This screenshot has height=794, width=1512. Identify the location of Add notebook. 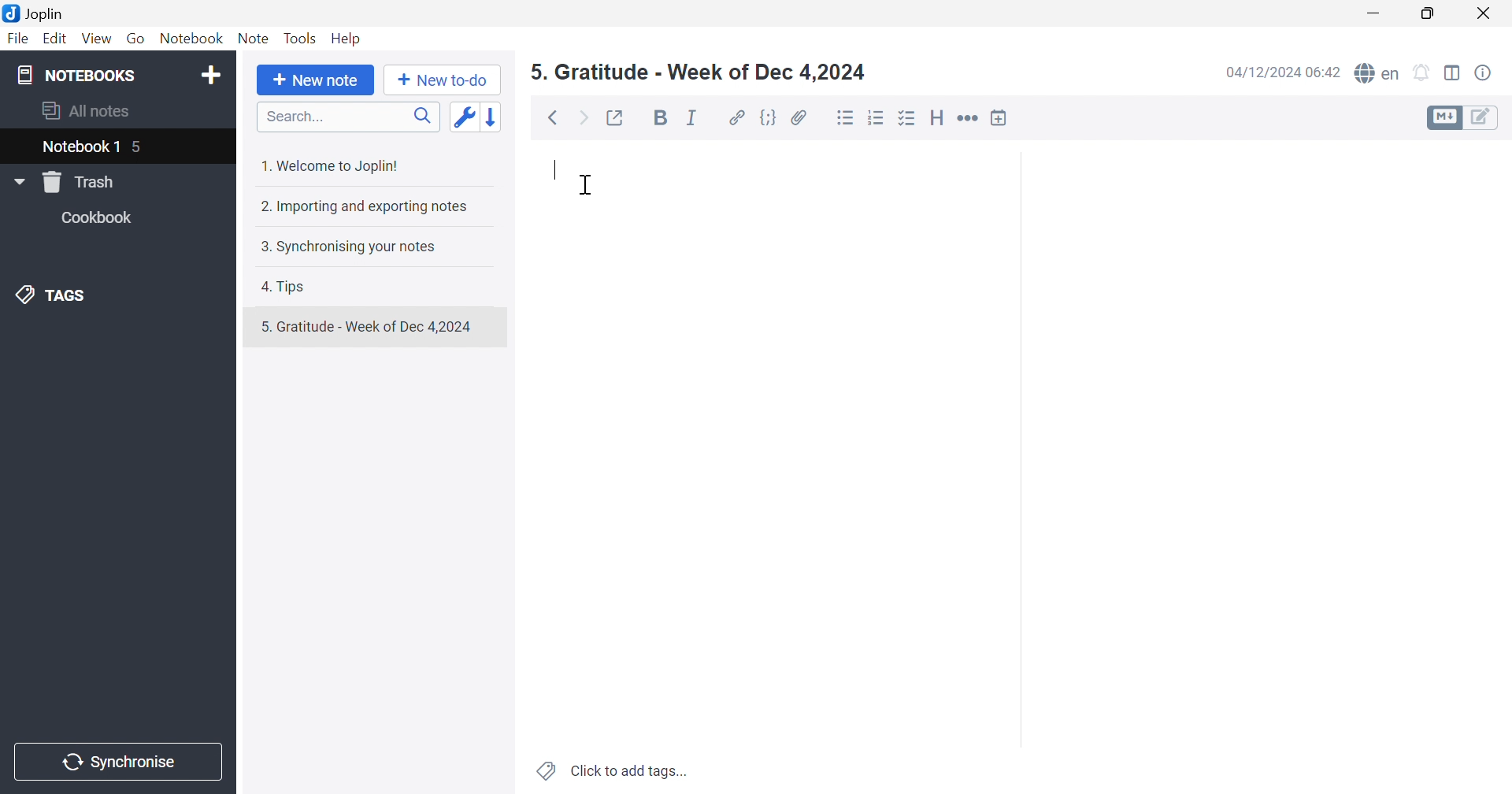
(212, 74).